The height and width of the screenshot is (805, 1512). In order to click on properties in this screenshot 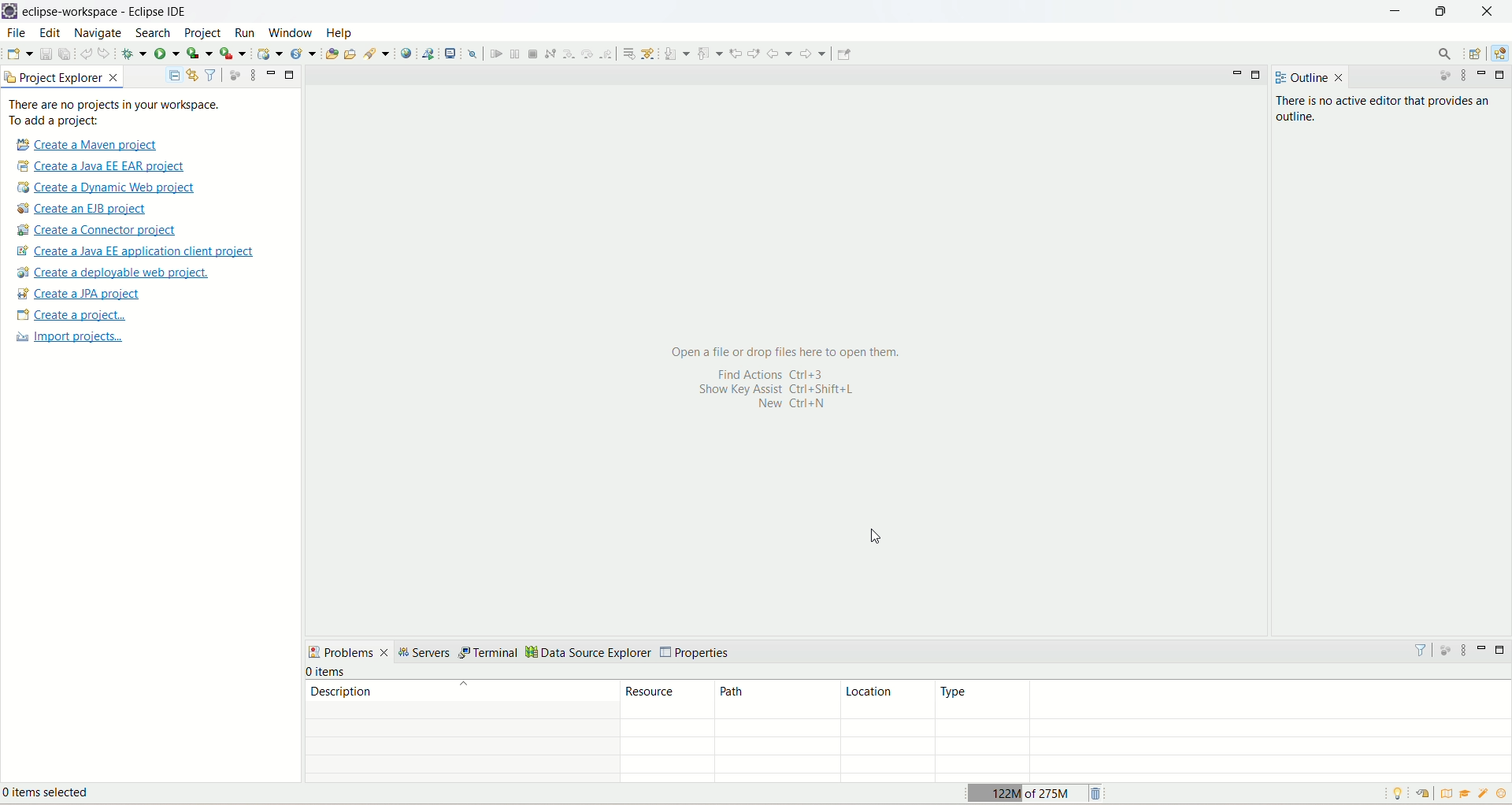, I will do `click(697, 653)`.